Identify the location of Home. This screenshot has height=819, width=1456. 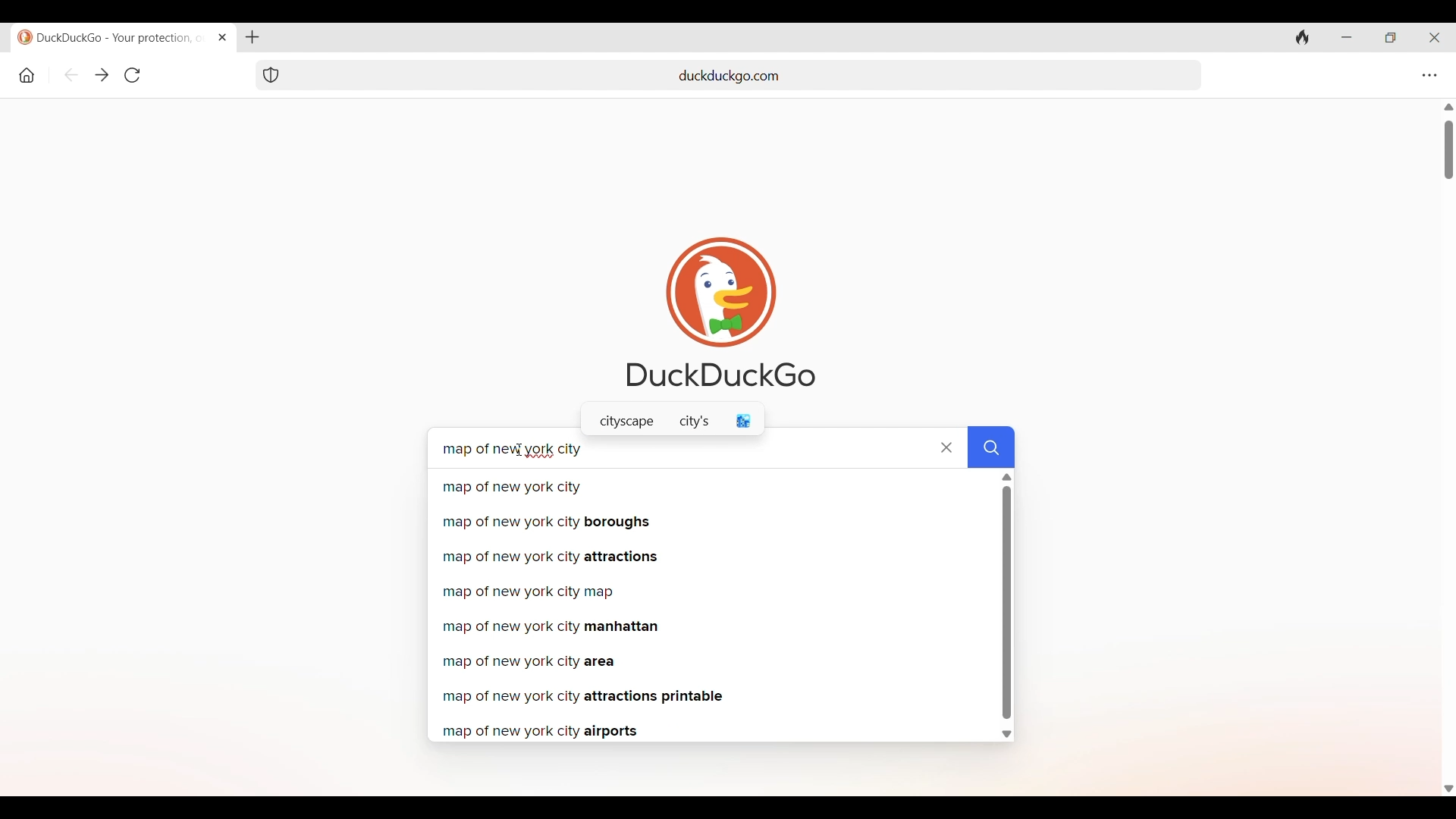
(27, 75).